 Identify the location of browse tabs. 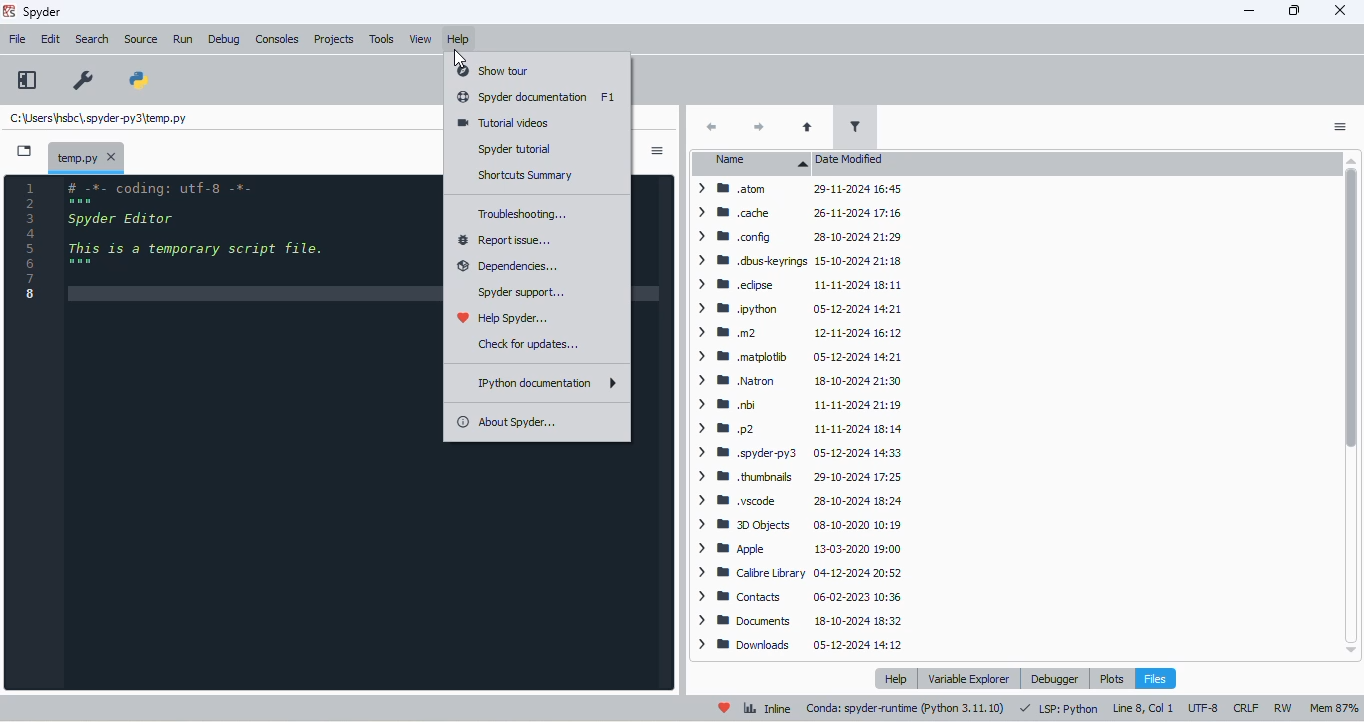
(24, 151).